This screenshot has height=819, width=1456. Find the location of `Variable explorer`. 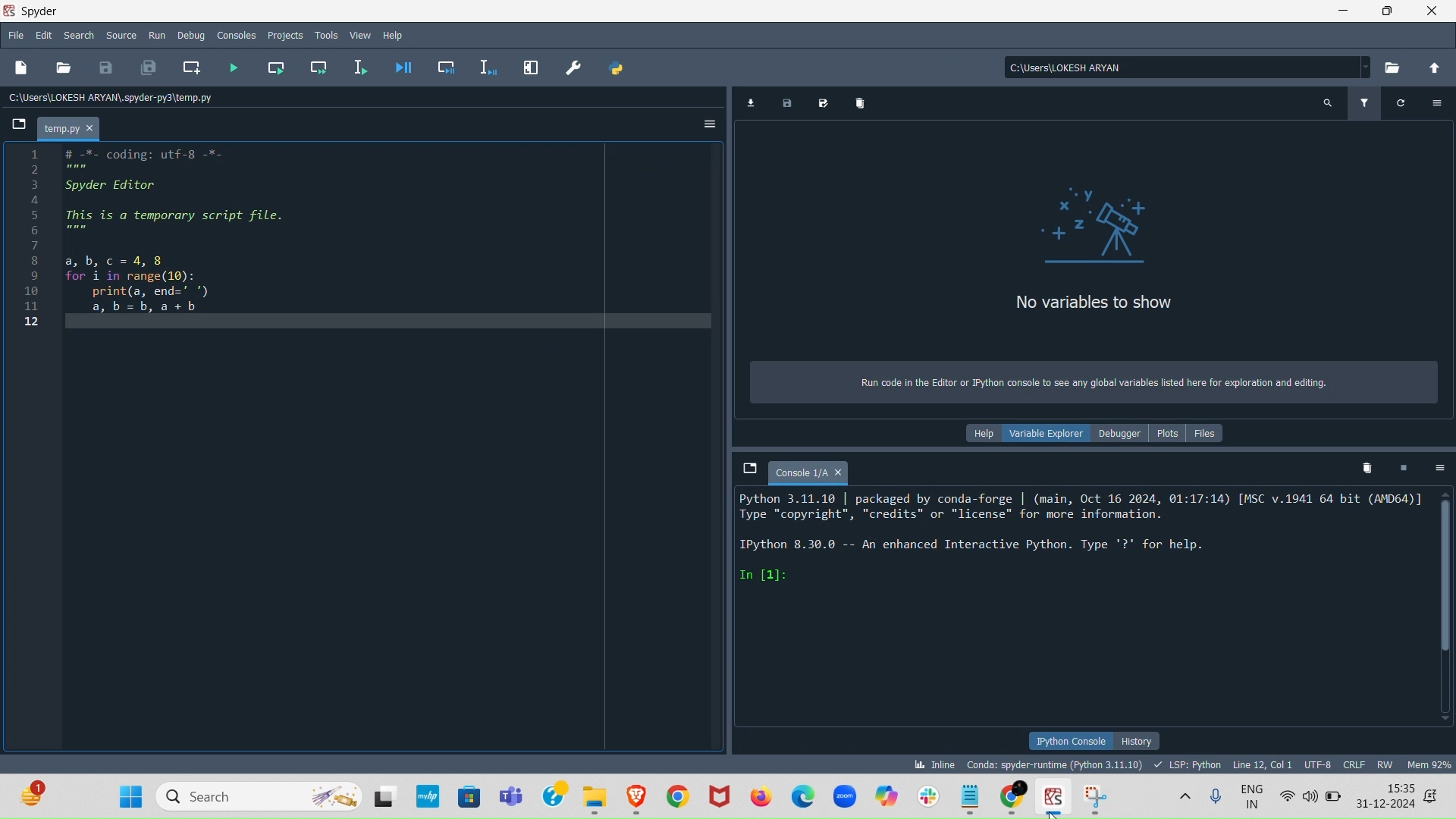

Variable explorer is located at coordinates (1041, 431).